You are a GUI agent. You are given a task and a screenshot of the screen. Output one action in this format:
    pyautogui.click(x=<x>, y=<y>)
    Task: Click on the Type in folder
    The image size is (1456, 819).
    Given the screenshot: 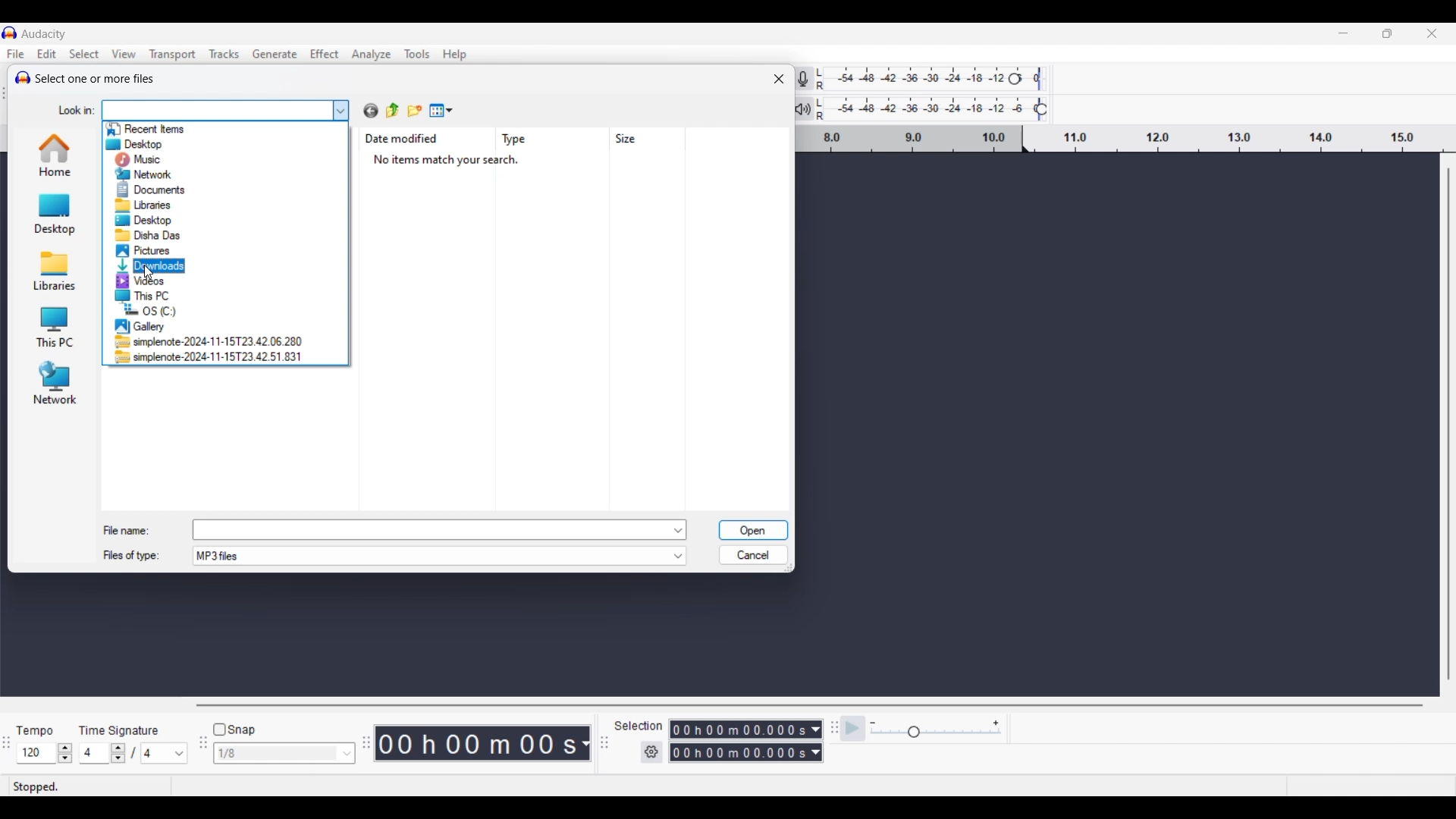 What is the action you would take?
    pyautogui.click(x=216, y=108)
    